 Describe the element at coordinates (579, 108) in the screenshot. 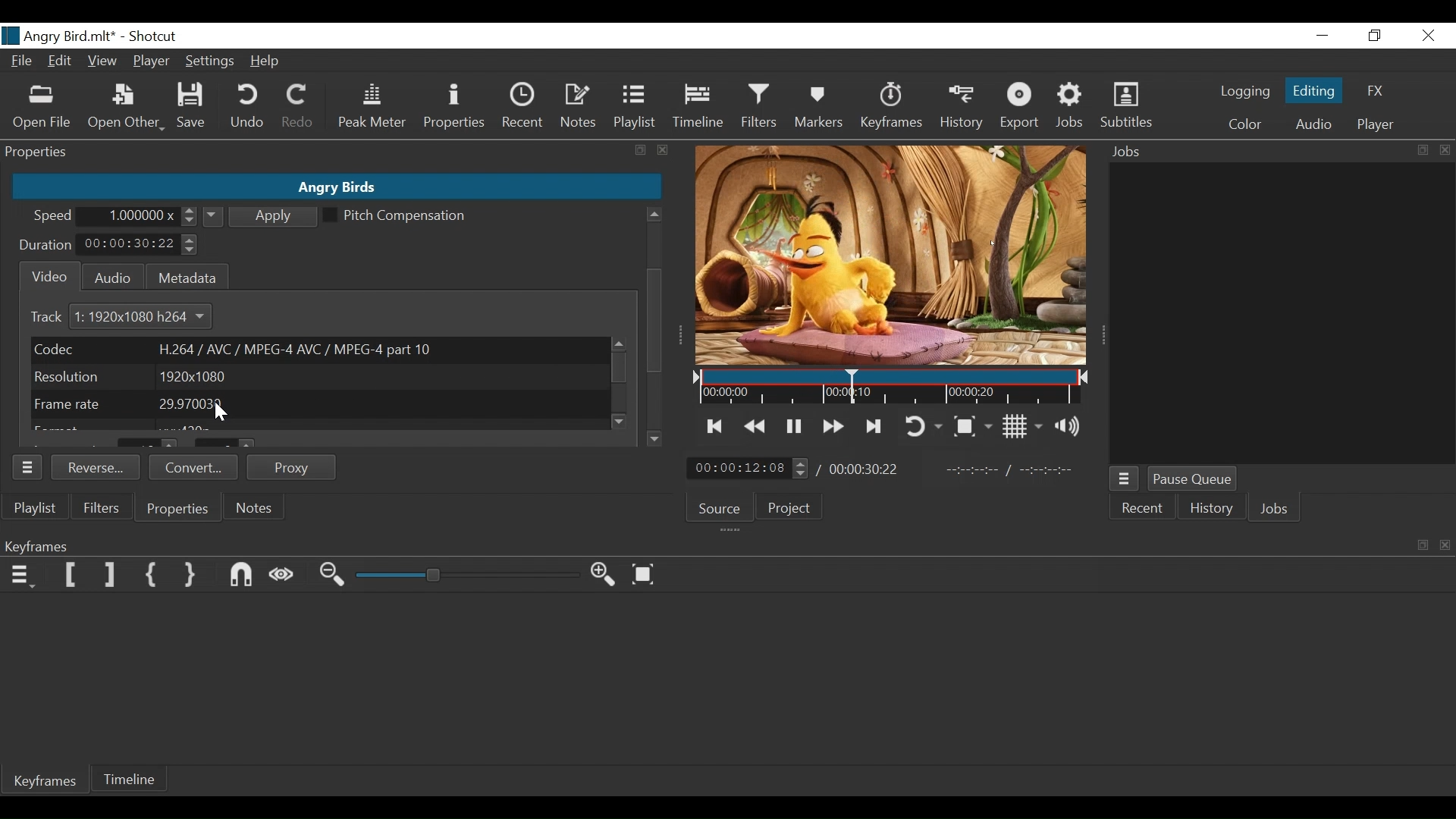

I see `Notes` at that location.